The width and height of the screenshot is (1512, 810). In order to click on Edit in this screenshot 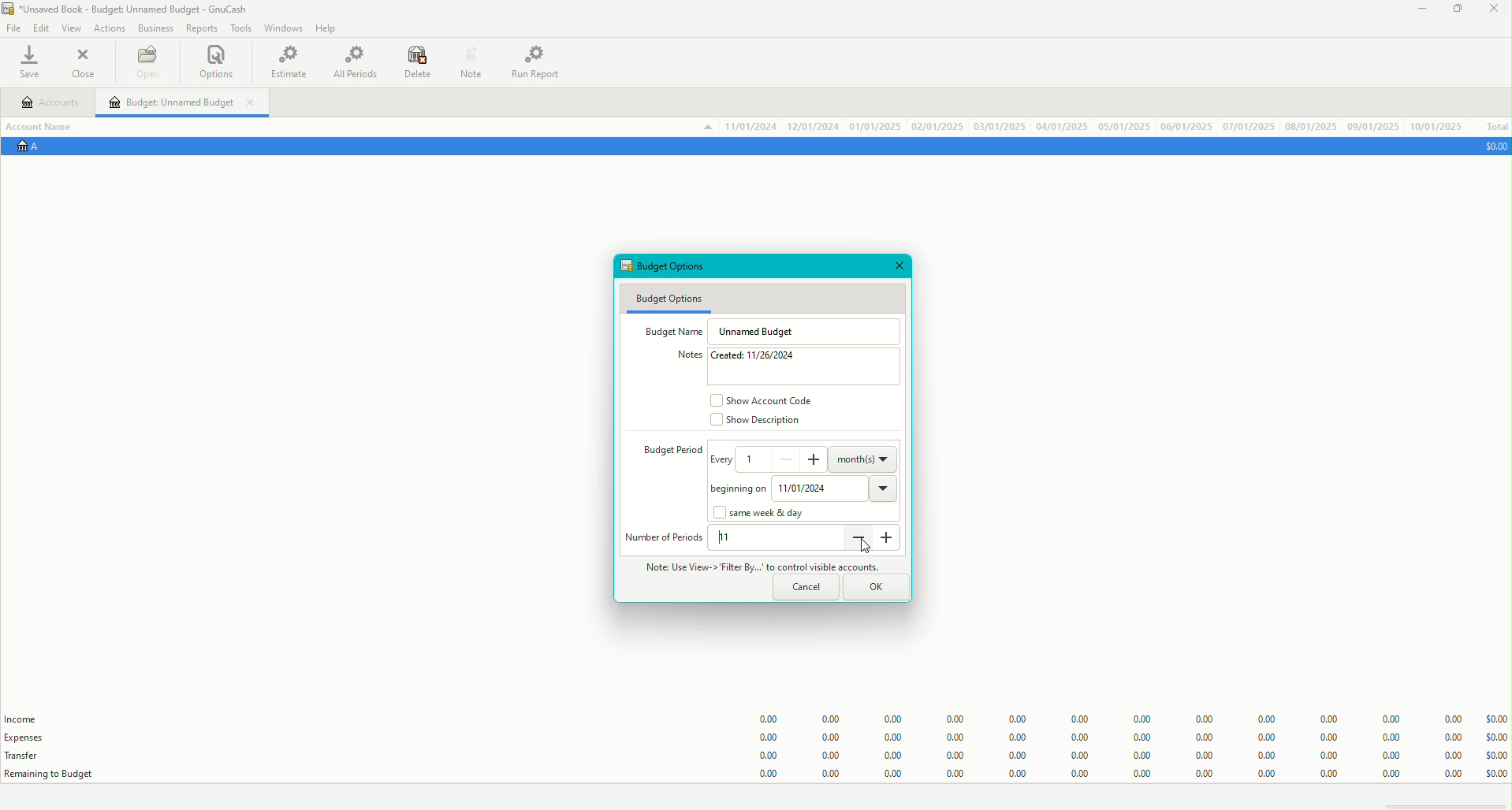, I will do `click(41, 28)`.